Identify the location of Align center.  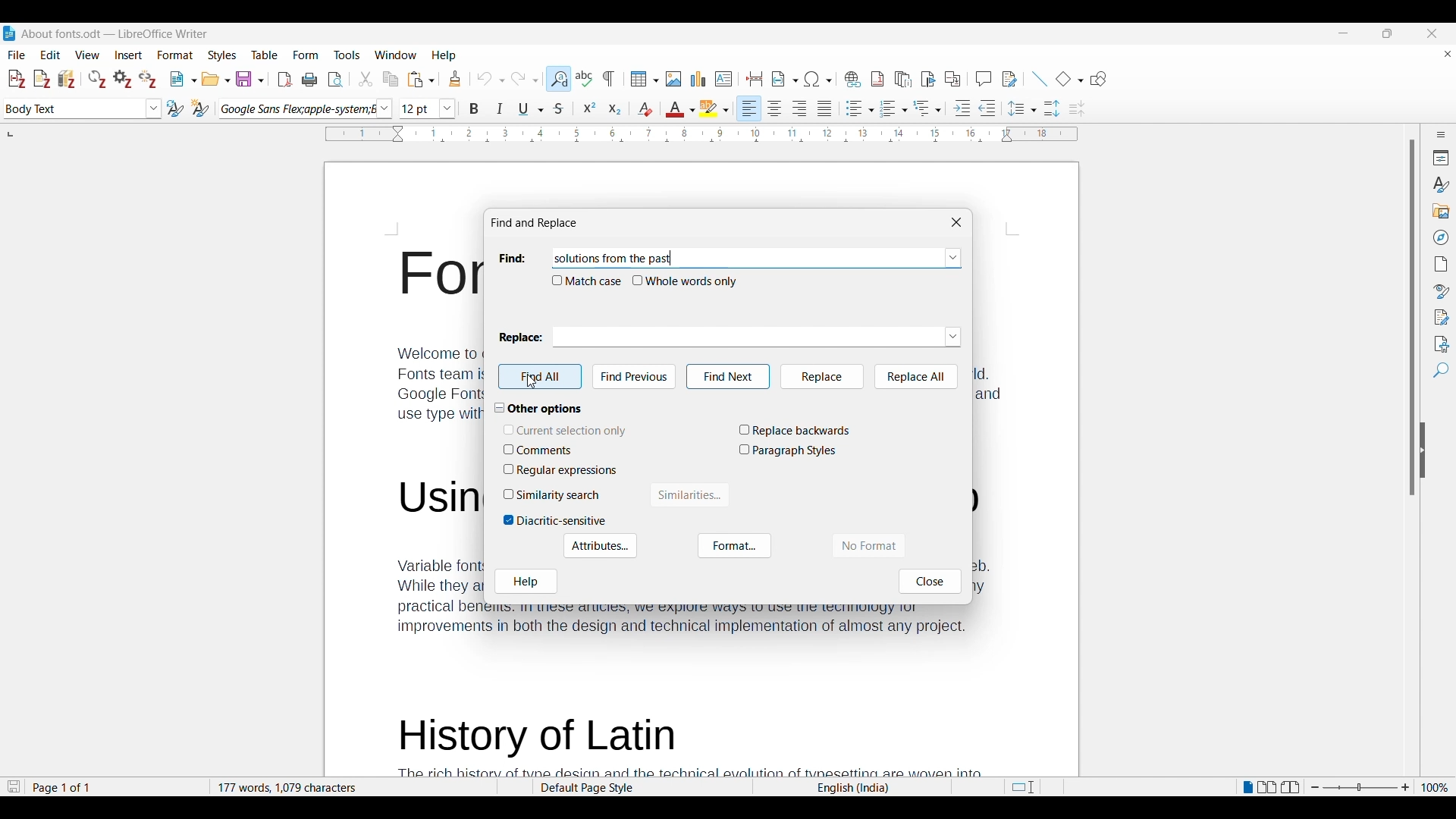
(775, 108).